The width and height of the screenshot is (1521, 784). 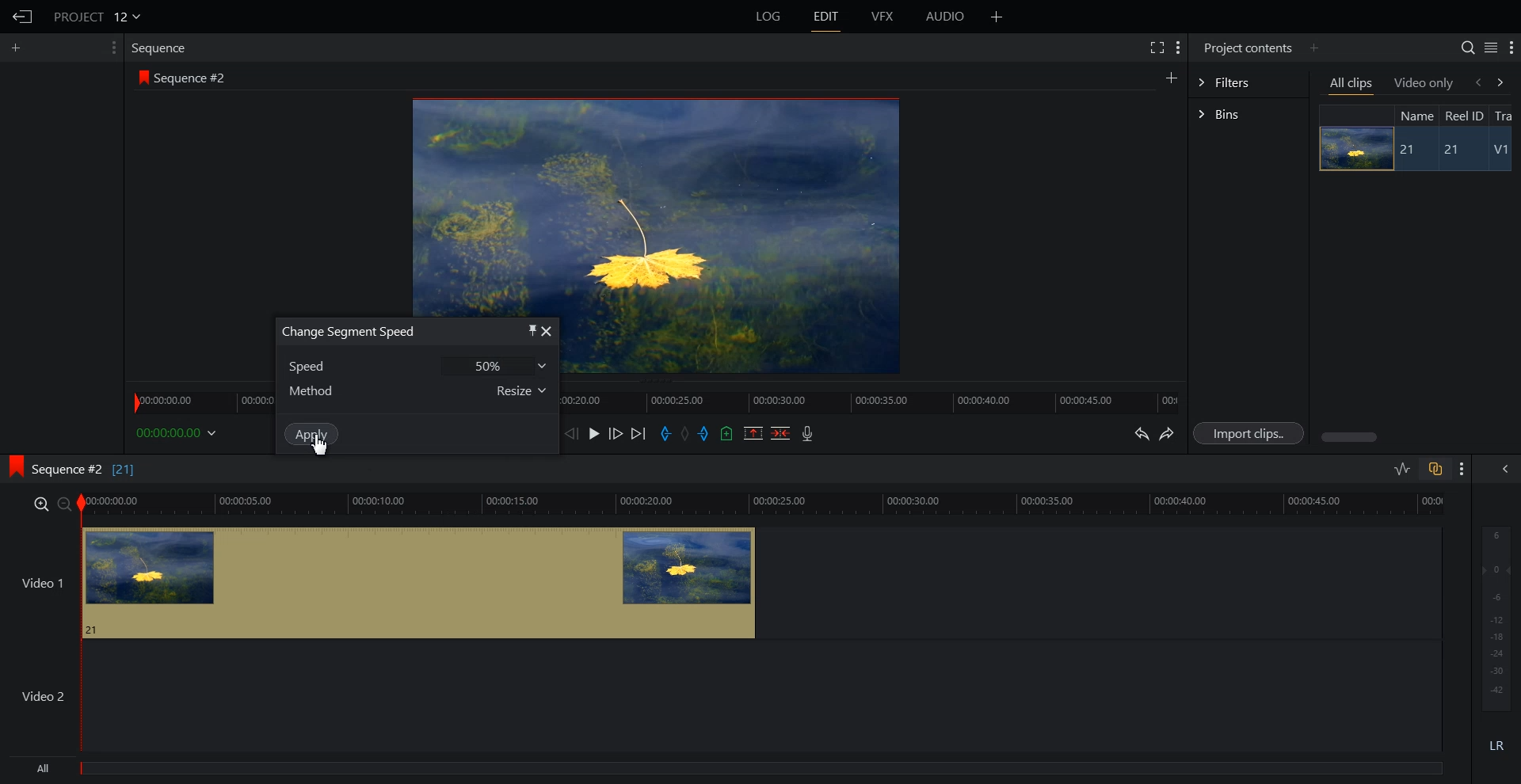 What do you see at coordinates (596, 433) in the screenshot?
I see `Play` at bounding box center [596, 433].